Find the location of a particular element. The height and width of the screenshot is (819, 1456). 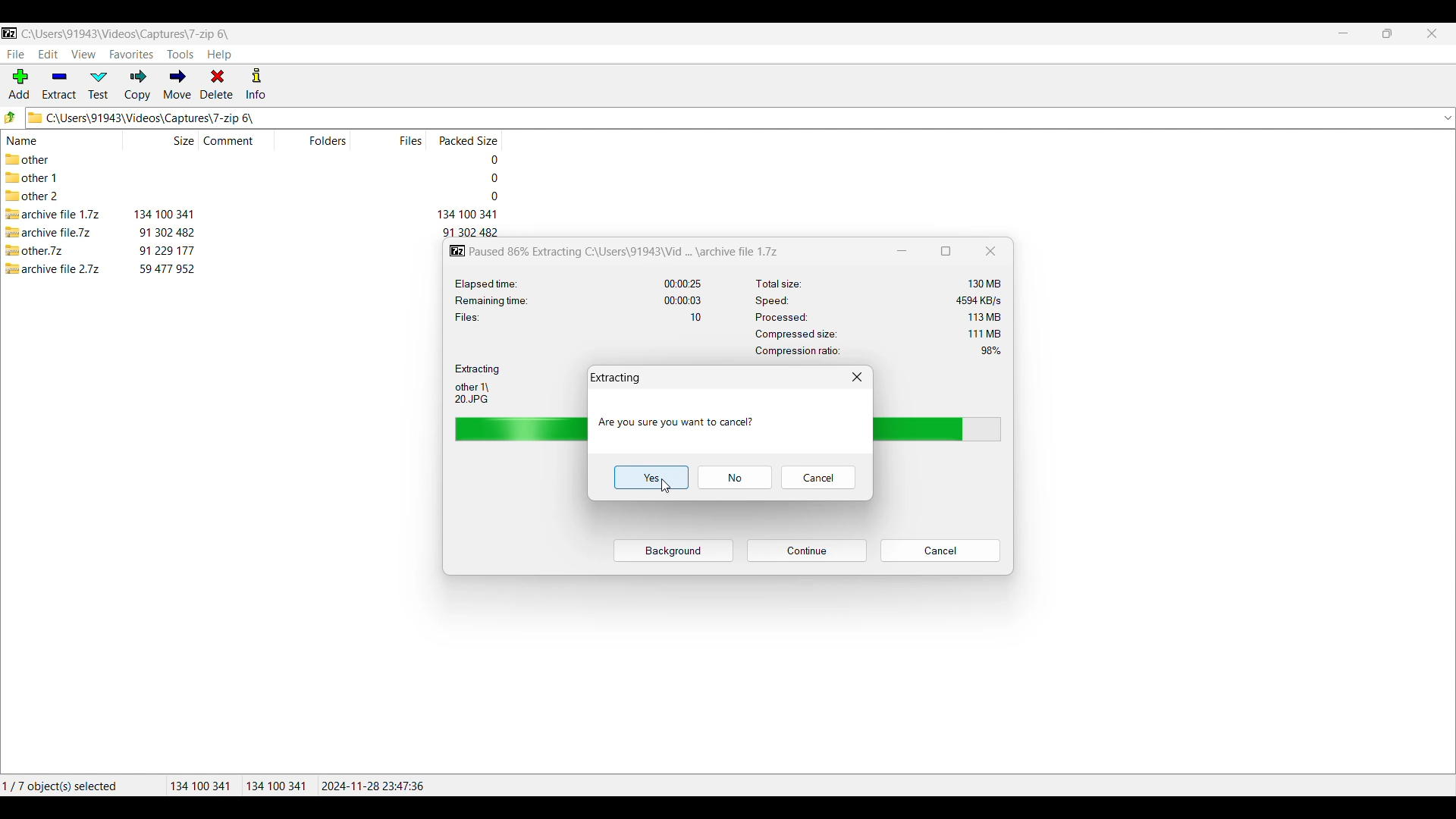

Speed: 4594 KB/s is located at coordinates (877, 300).